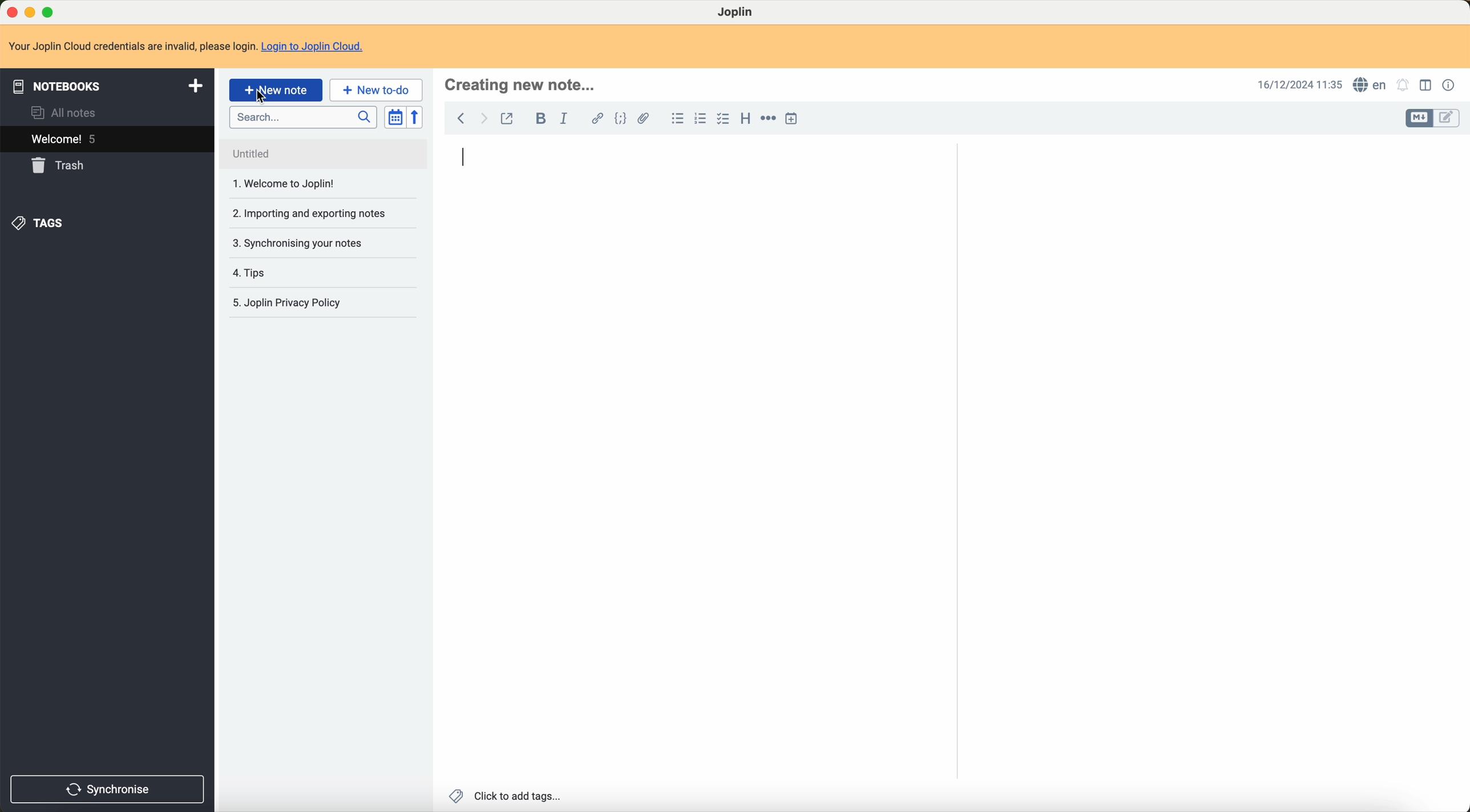 This screenshot has height=812, width=1470. I want to click on synchronise, so click(109, 789).